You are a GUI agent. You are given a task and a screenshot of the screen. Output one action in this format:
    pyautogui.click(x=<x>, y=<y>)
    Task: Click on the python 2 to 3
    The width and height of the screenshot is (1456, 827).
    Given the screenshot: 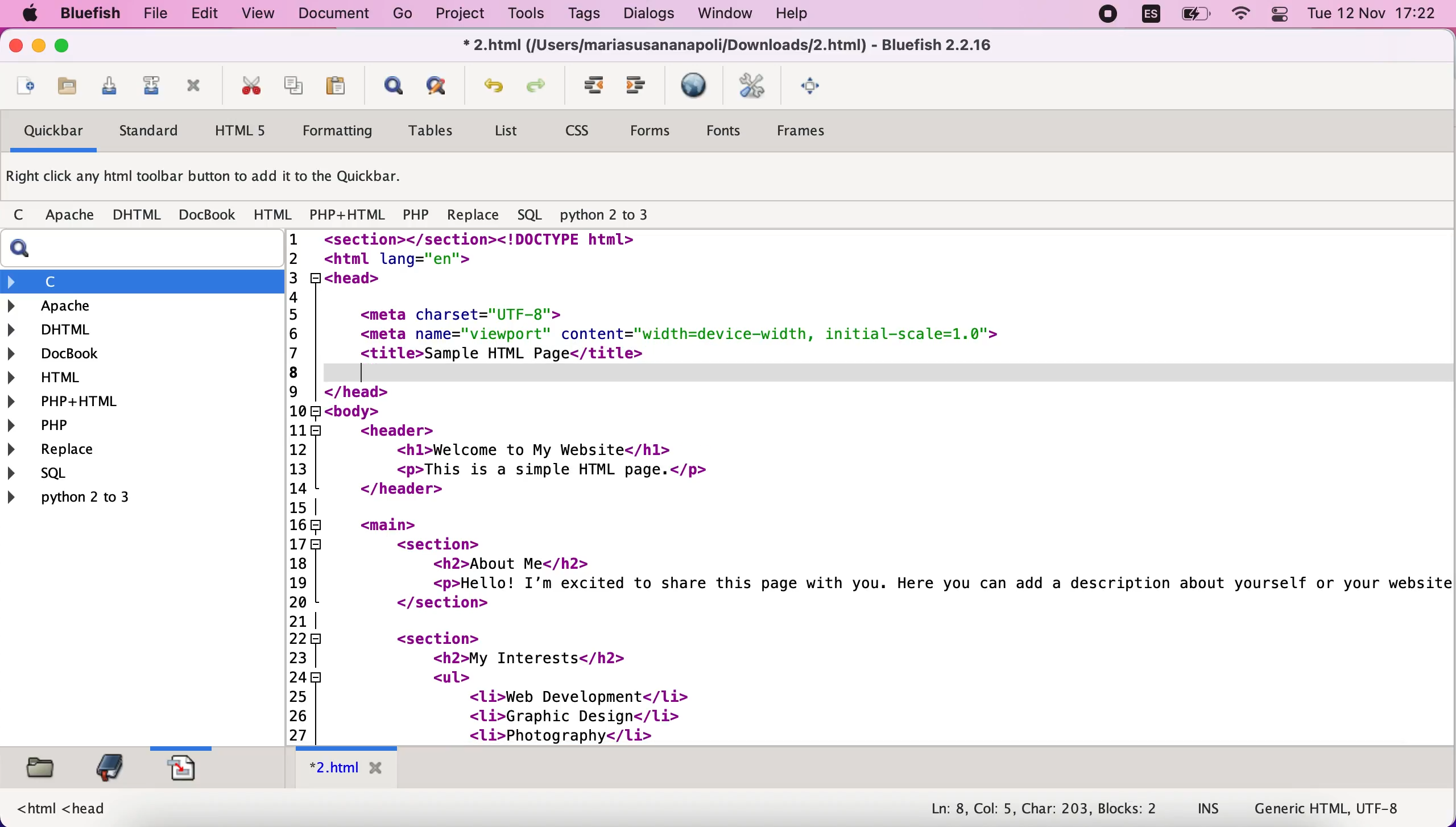 What is the action you would take?
    pyautogui.click(x=121, y=500)
    